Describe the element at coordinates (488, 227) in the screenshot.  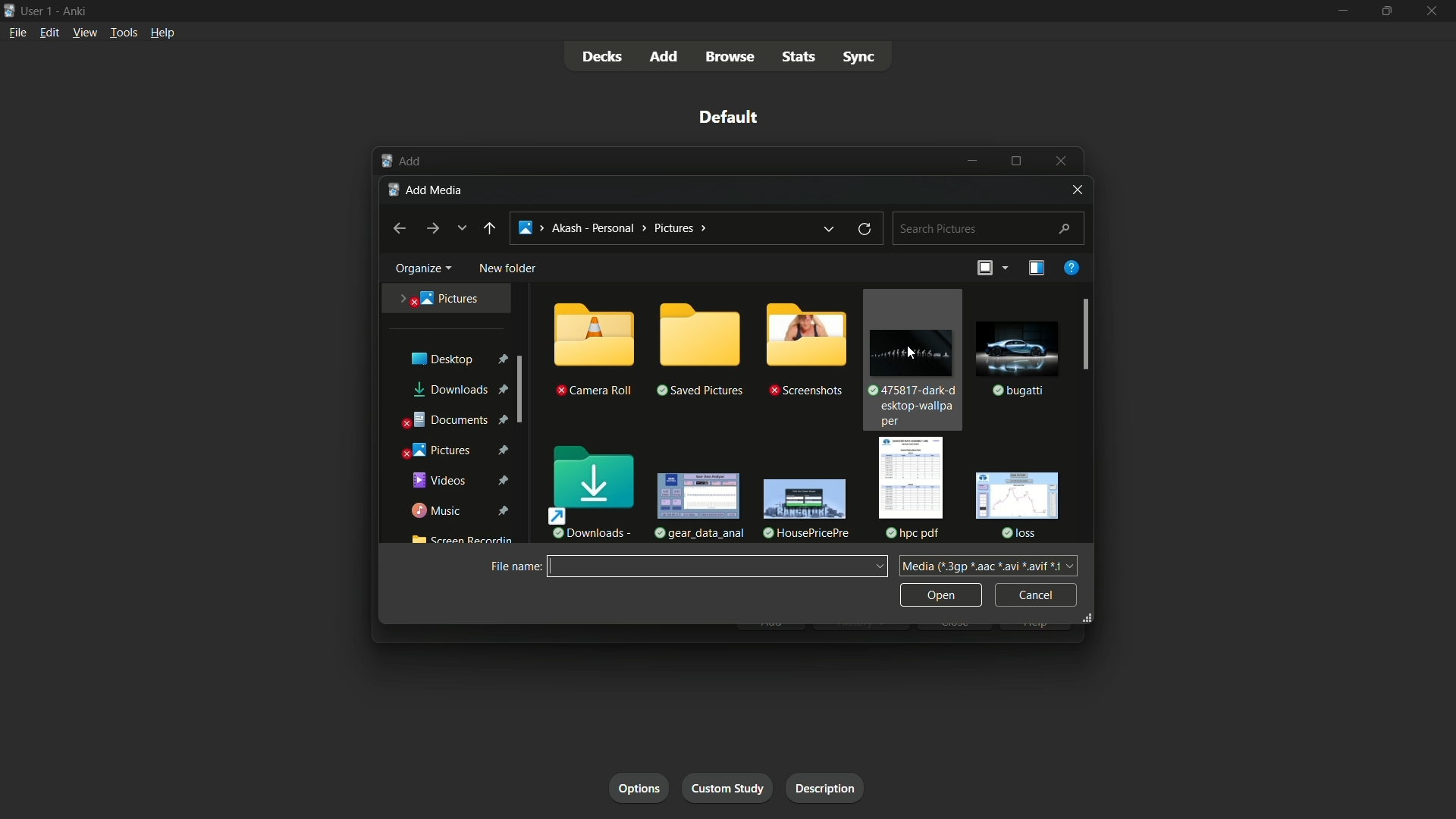
I see `back` at that location.